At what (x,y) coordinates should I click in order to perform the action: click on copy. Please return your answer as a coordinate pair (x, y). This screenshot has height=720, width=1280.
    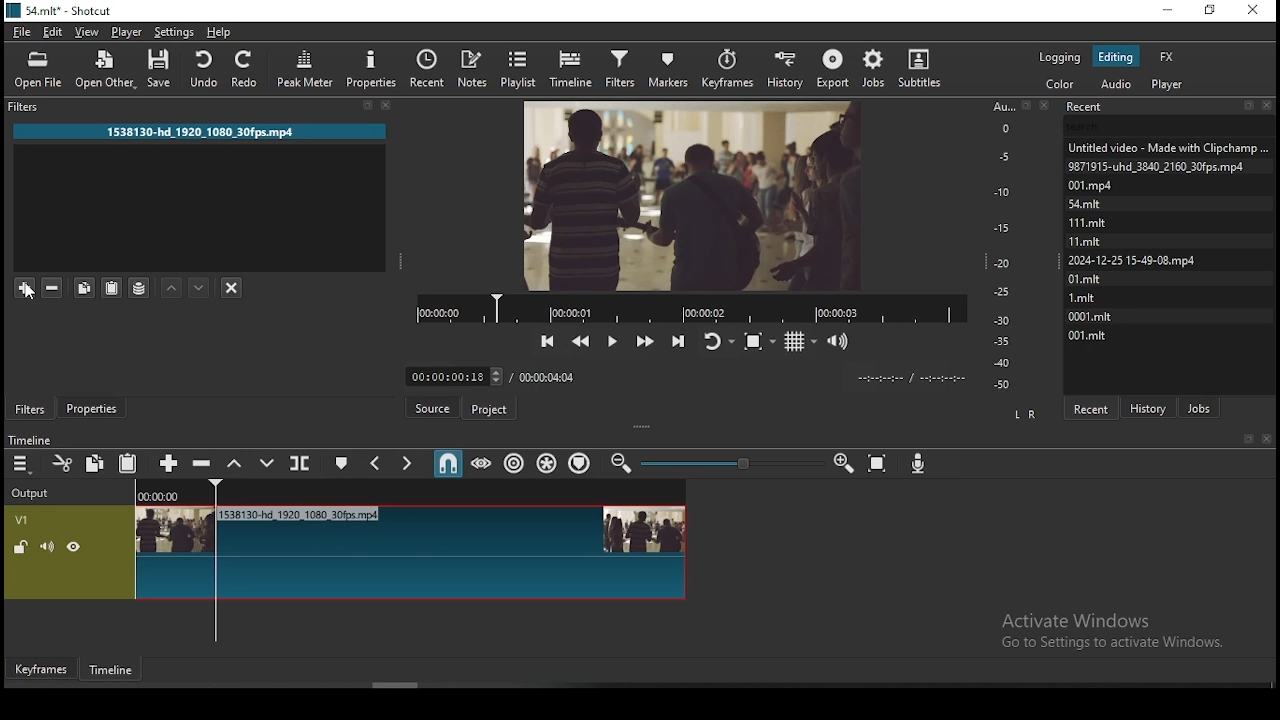
    Looking at the image, I should click on (96, 464).